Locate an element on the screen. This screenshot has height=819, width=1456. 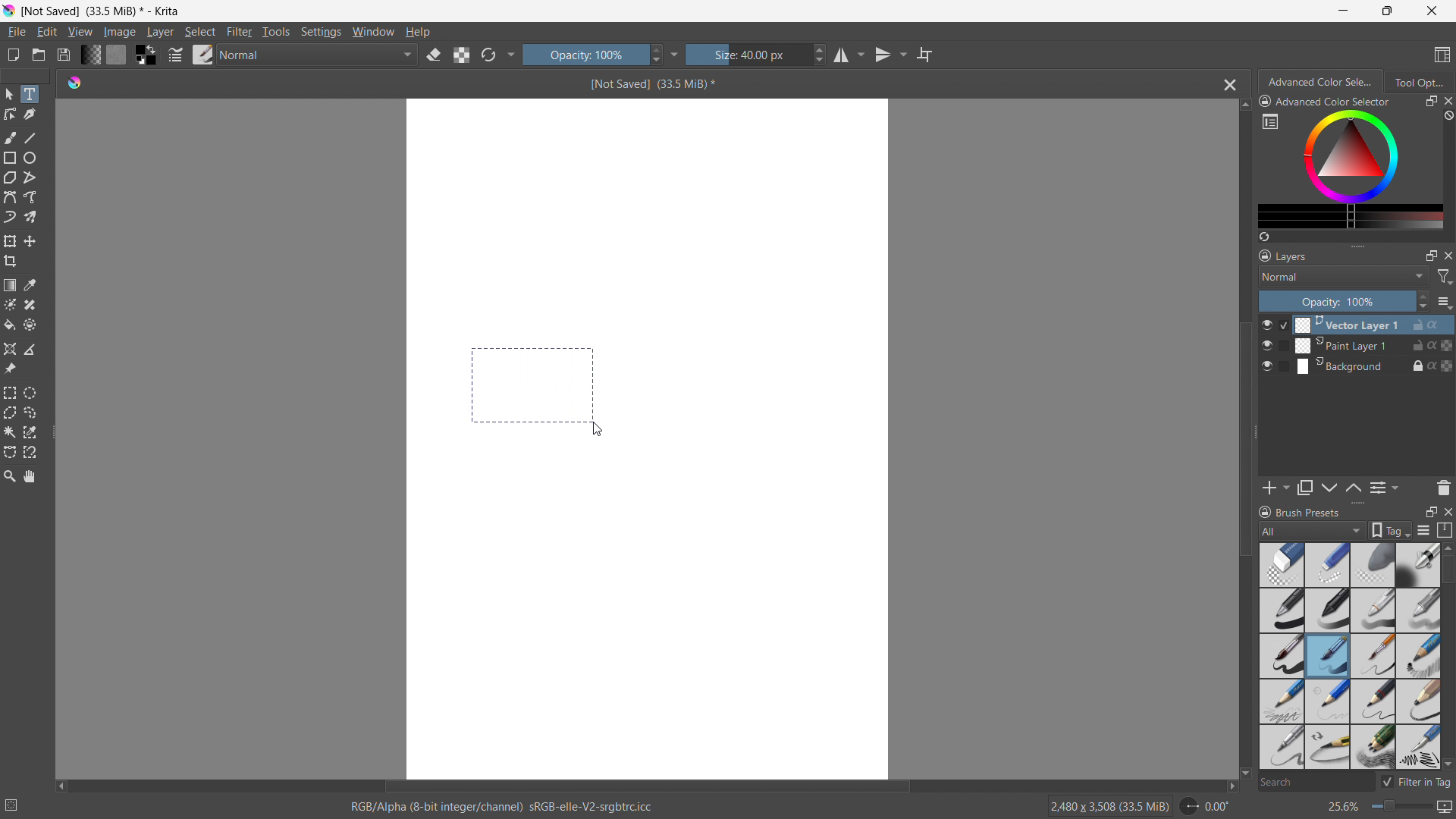
polygon tool is located at coordinates (10, 178).